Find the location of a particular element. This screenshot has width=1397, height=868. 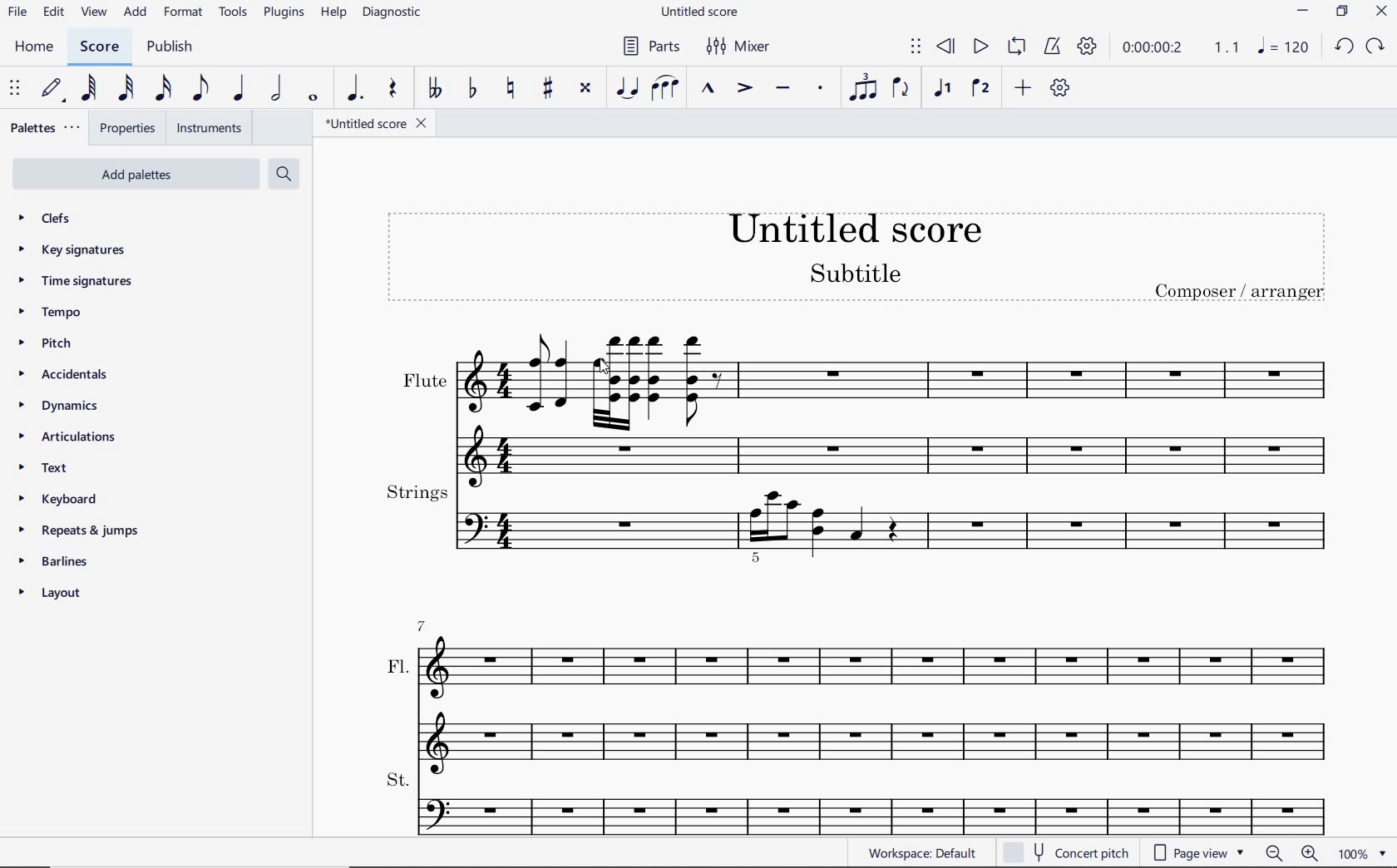

close is located at coordinates (1382, 11).